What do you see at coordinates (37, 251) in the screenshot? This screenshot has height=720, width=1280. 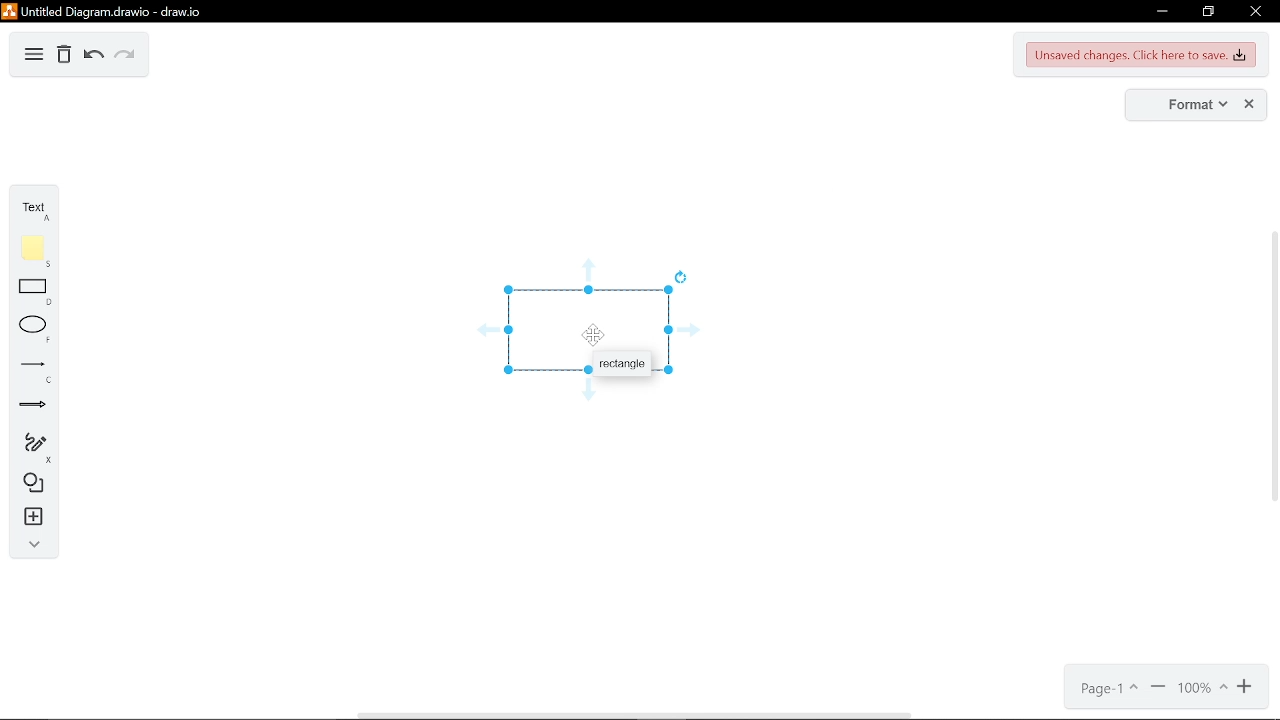 I see `note` at bounding box center [37, 251].